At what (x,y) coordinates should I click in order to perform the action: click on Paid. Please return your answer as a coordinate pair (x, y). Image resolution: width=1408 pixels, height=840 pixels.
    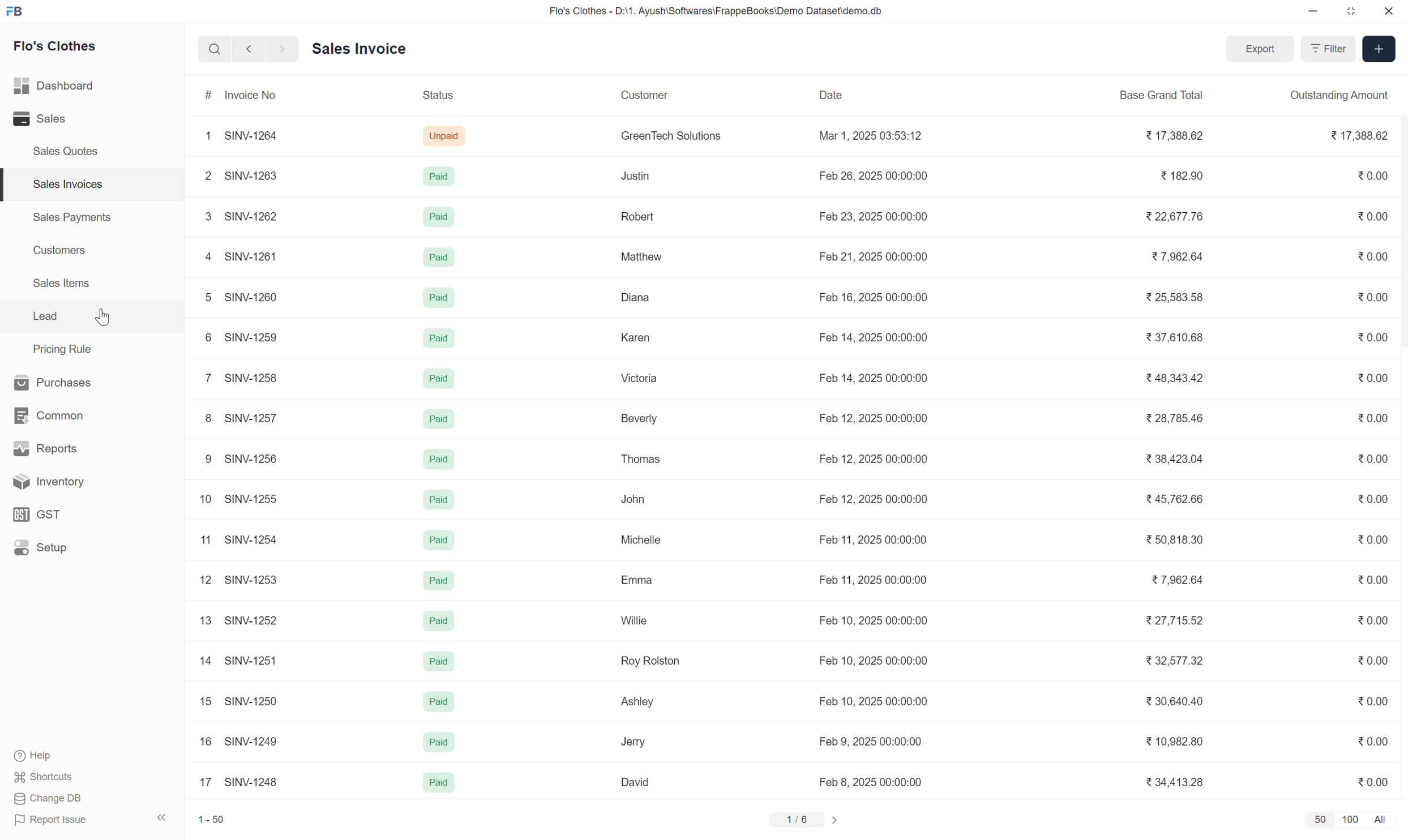
    Looking at the image, I should click on (440, 418).